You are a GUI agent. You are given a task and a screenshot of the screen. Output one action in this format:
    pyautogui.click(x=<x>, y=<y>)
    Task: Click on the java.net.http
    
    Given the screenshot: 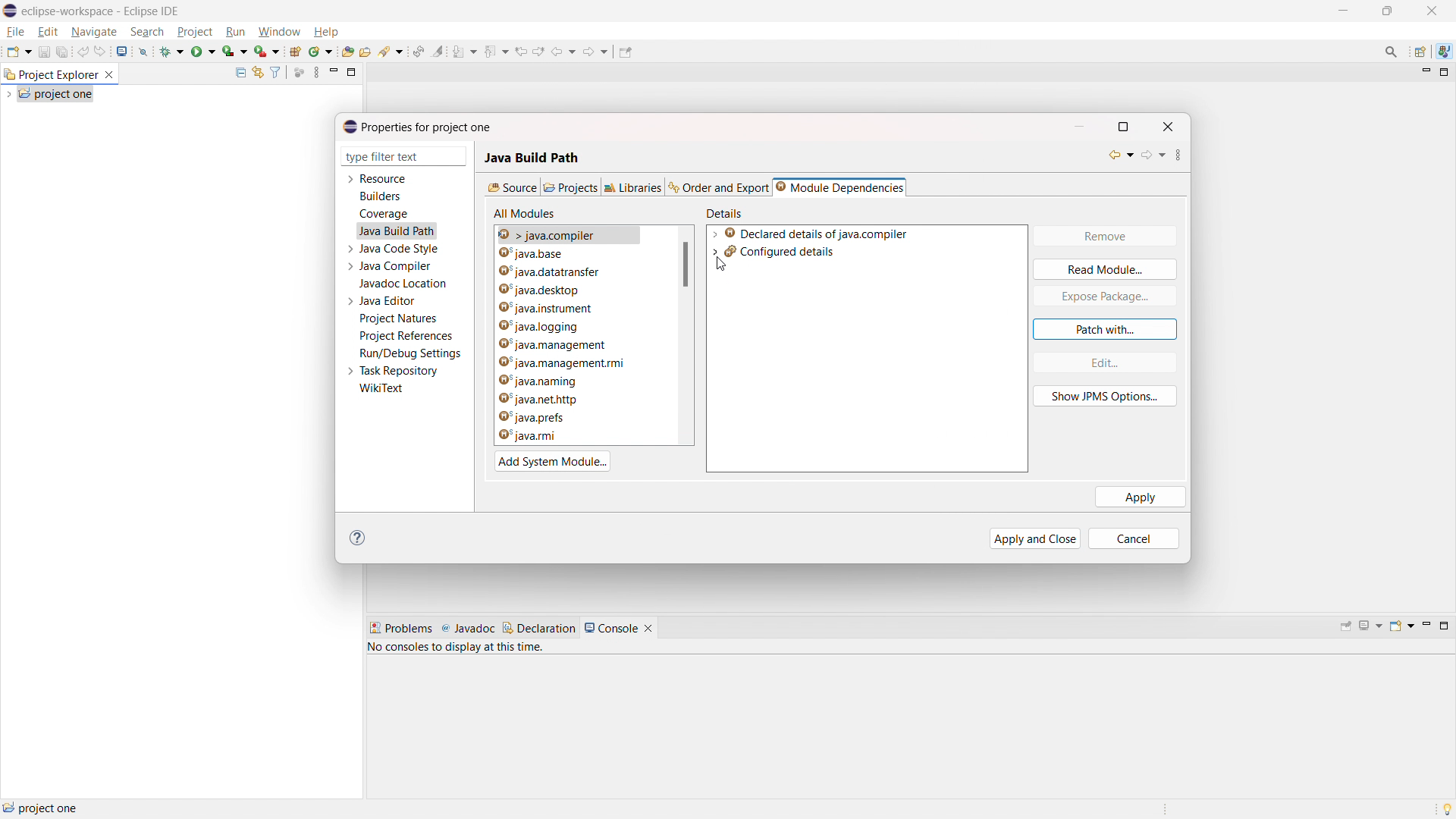 What is the action you would take?
    pyautogui.click(x=566, y=400)
    